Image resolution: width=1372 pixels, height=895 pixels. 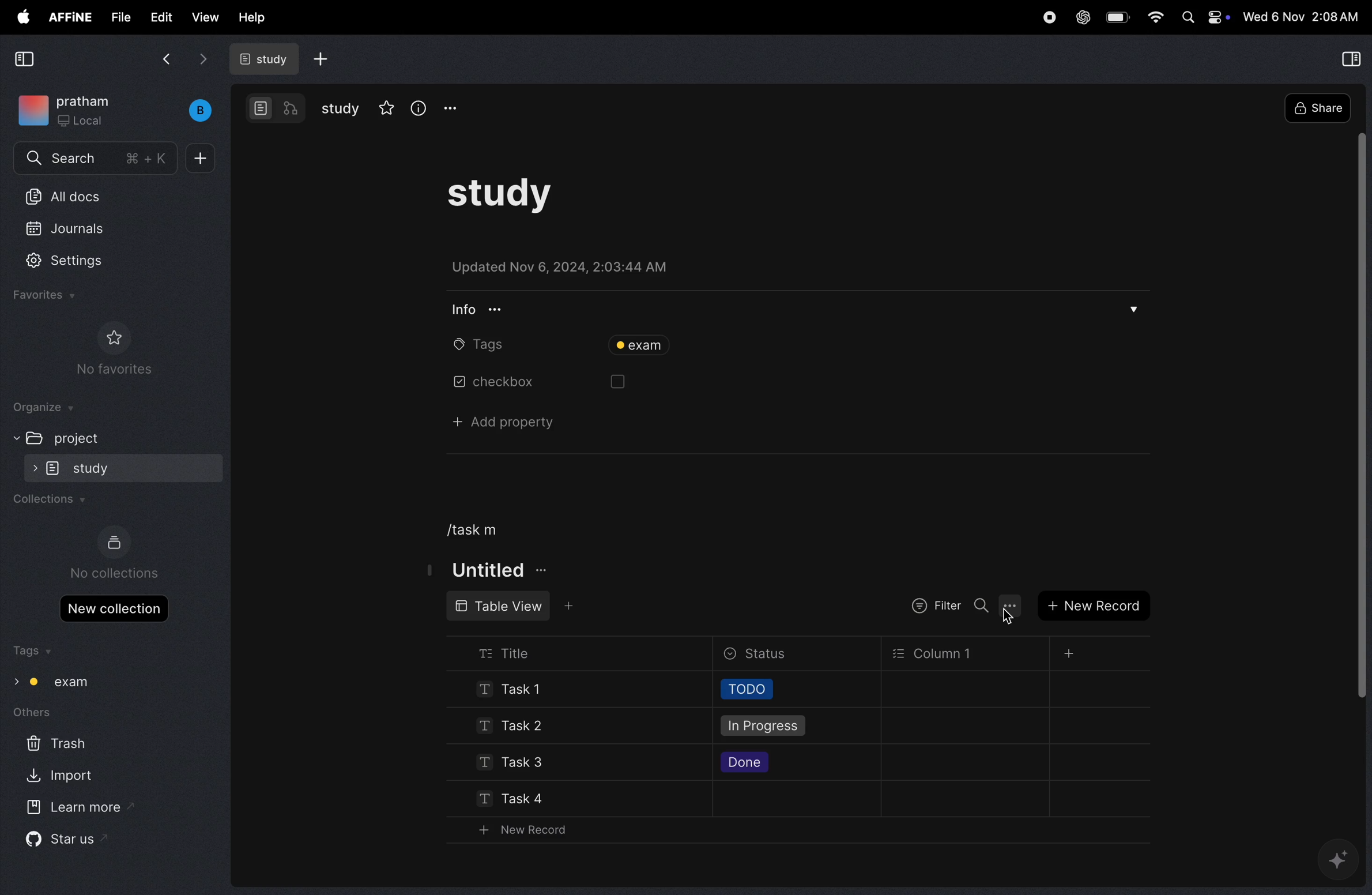 I want to click on Task !, so click(x=520, y=690).